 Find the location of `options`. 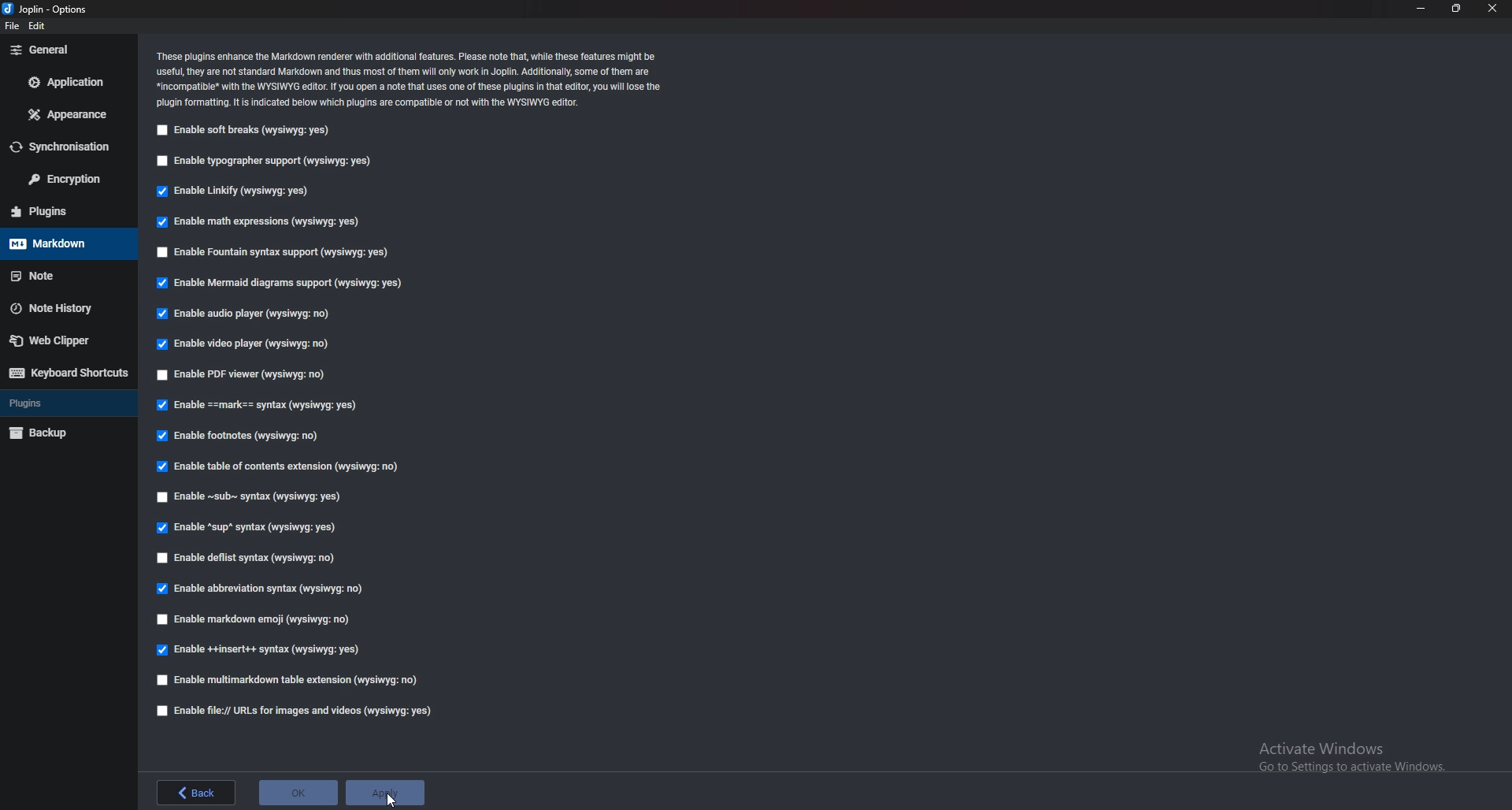

options is located at coordinates (51, 9).